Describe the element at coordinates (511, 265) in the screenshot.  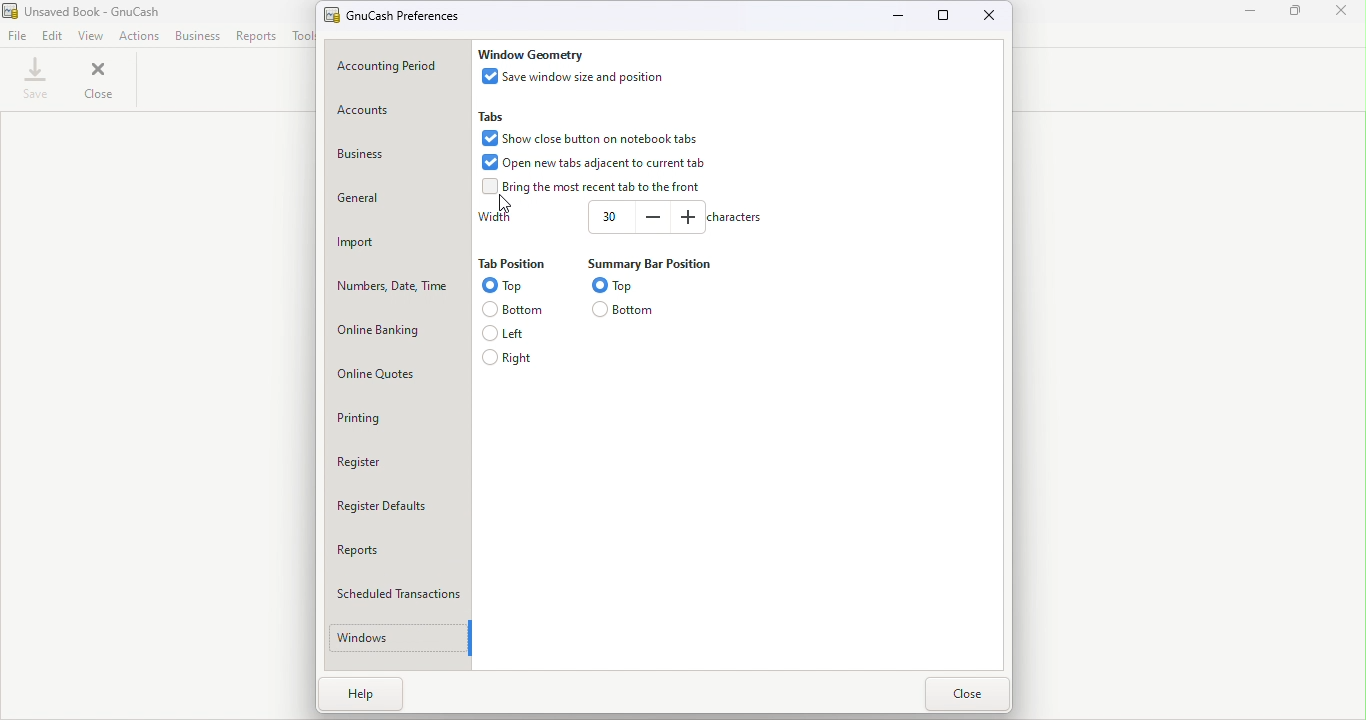
I see `Tab position` at that location.